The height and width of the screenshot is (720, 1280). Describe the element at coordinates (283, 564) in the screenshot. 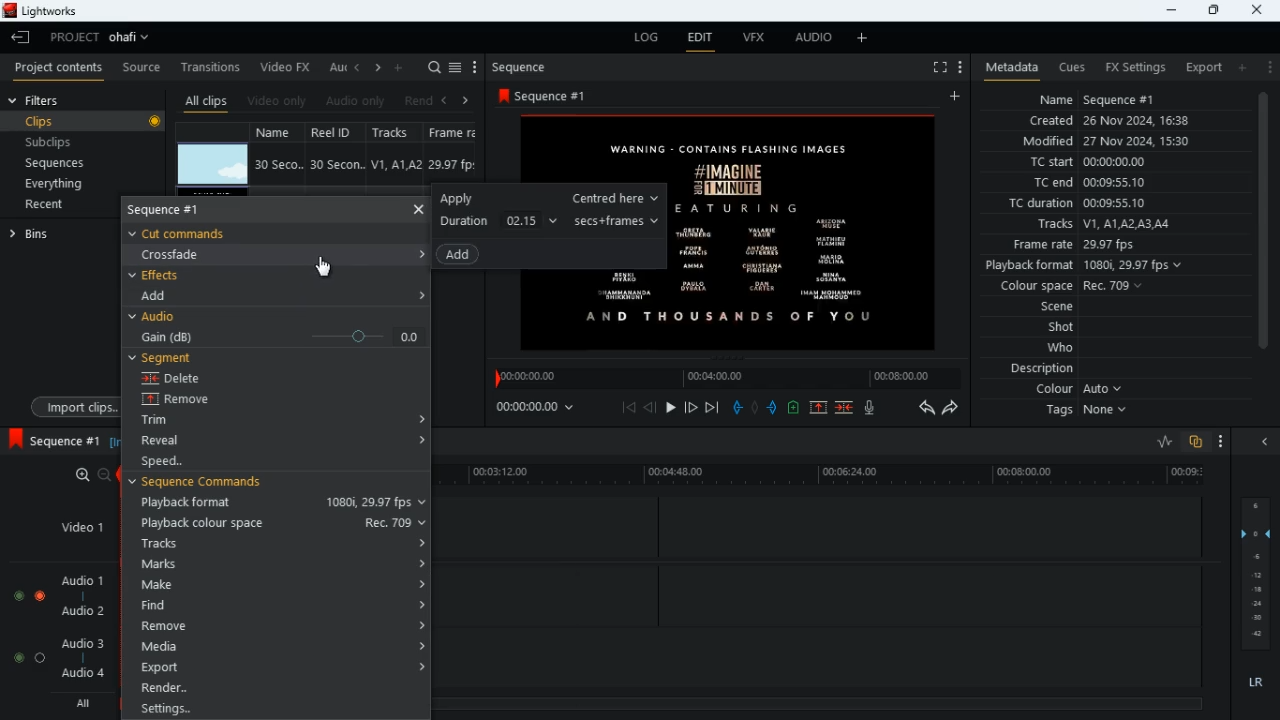

I see `marks` at that location.